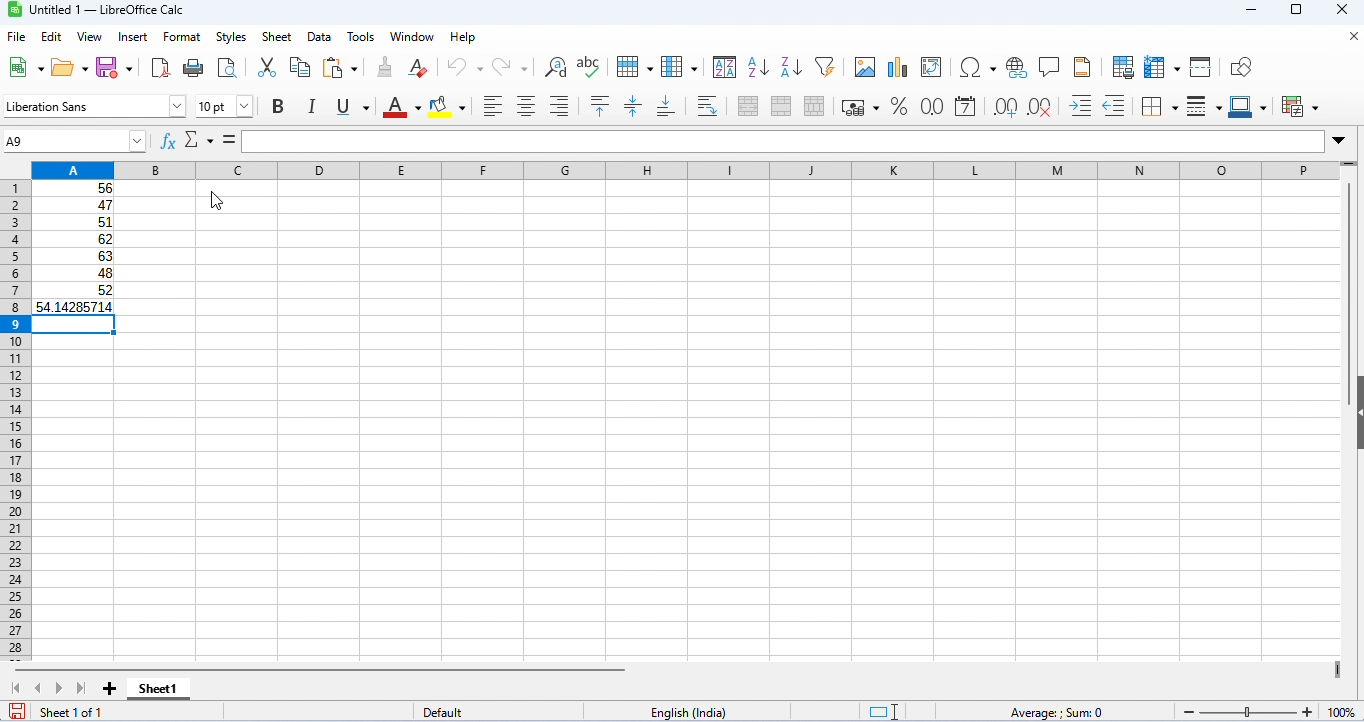 The width and height of the screenshot is (1364, 722). What do you see at coordinates (81, 688) in the screenshot?
I see `last sheet` at bounding box center [81, 688].